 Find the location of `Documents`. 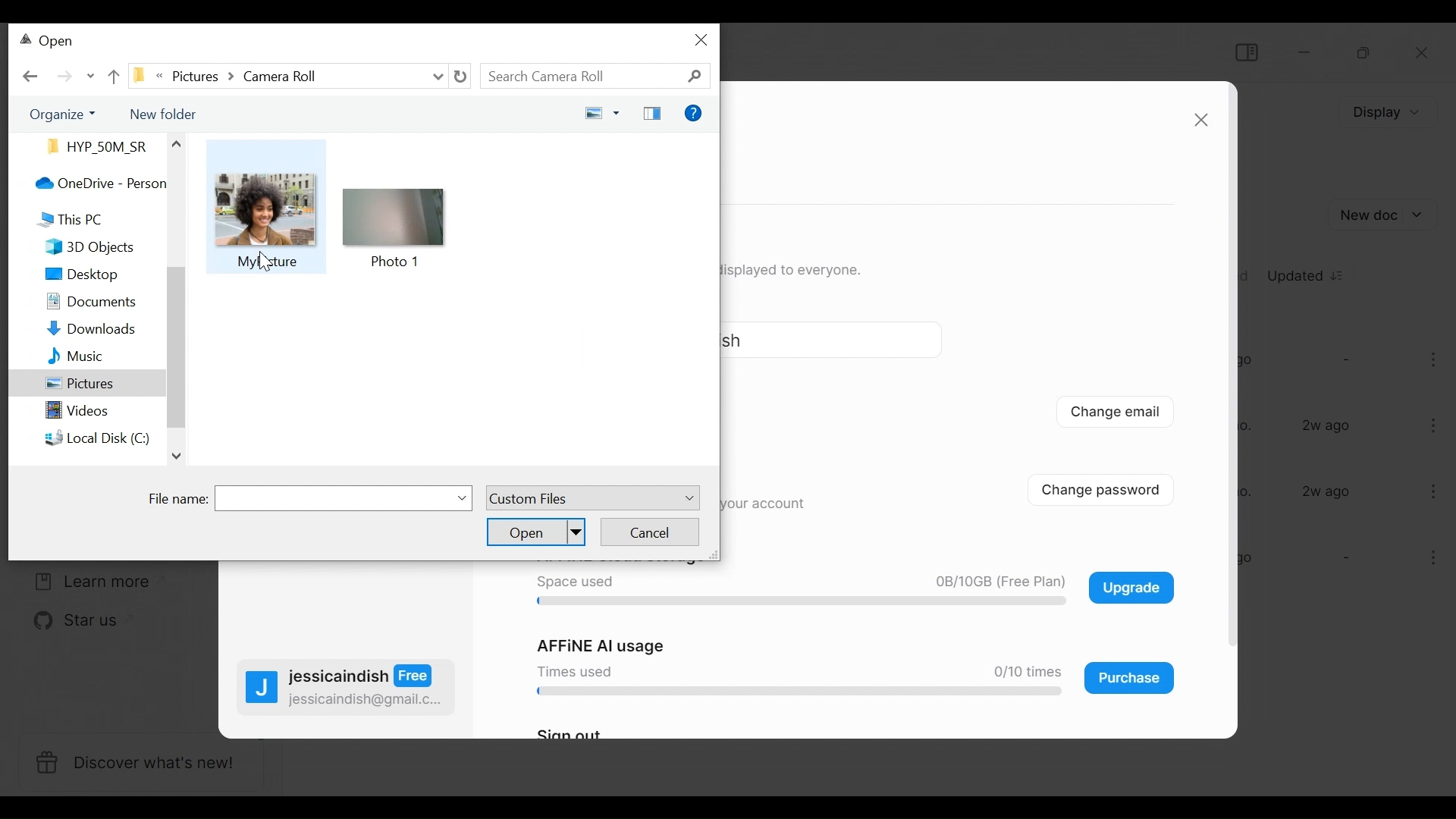

Documents is located at coordinates (78, 303).